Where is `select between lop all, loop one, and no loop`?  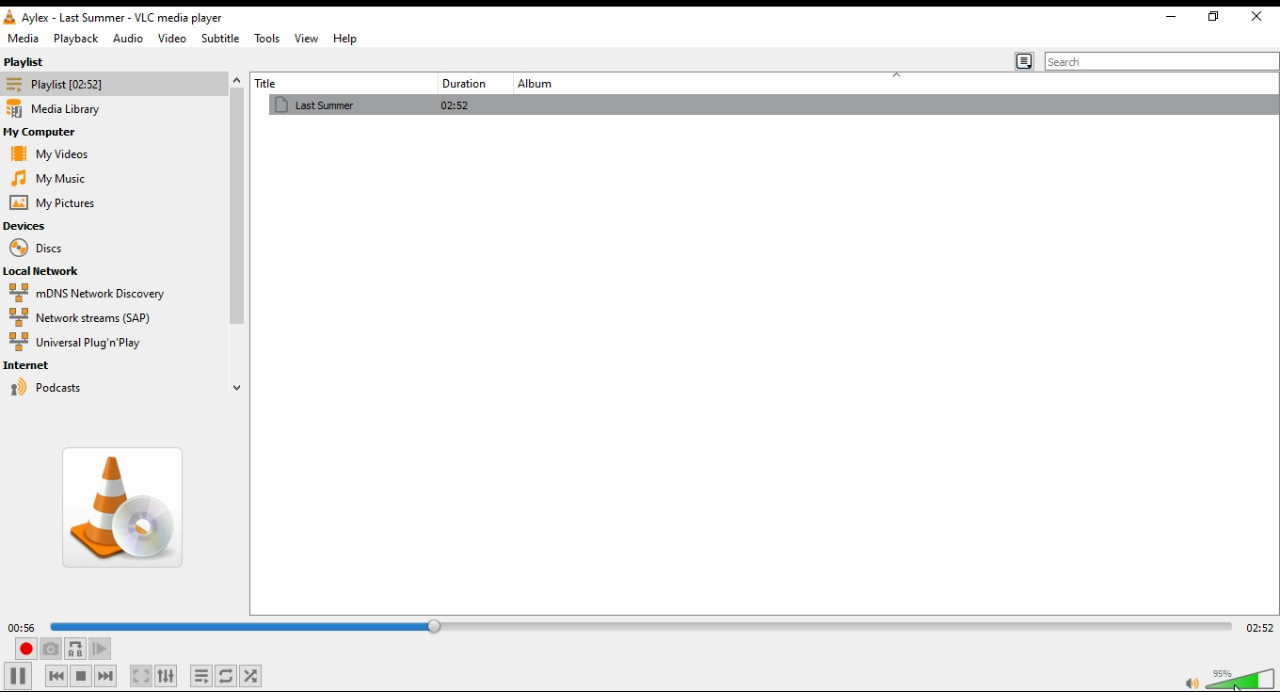
select between lop all, loop one, and no loop is located at coordinates (228, 676).